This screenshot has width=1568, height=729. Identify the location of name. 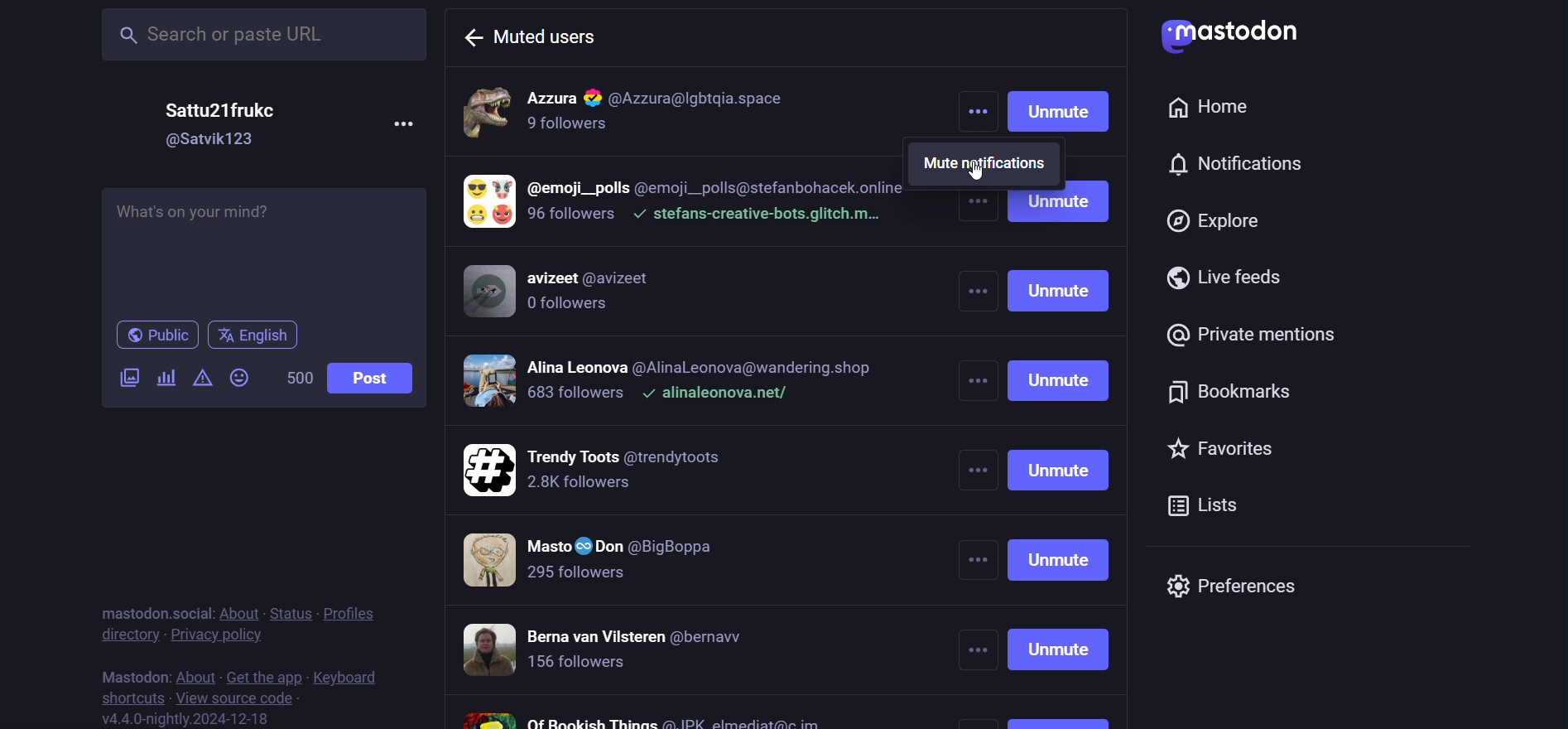
(218, 109).